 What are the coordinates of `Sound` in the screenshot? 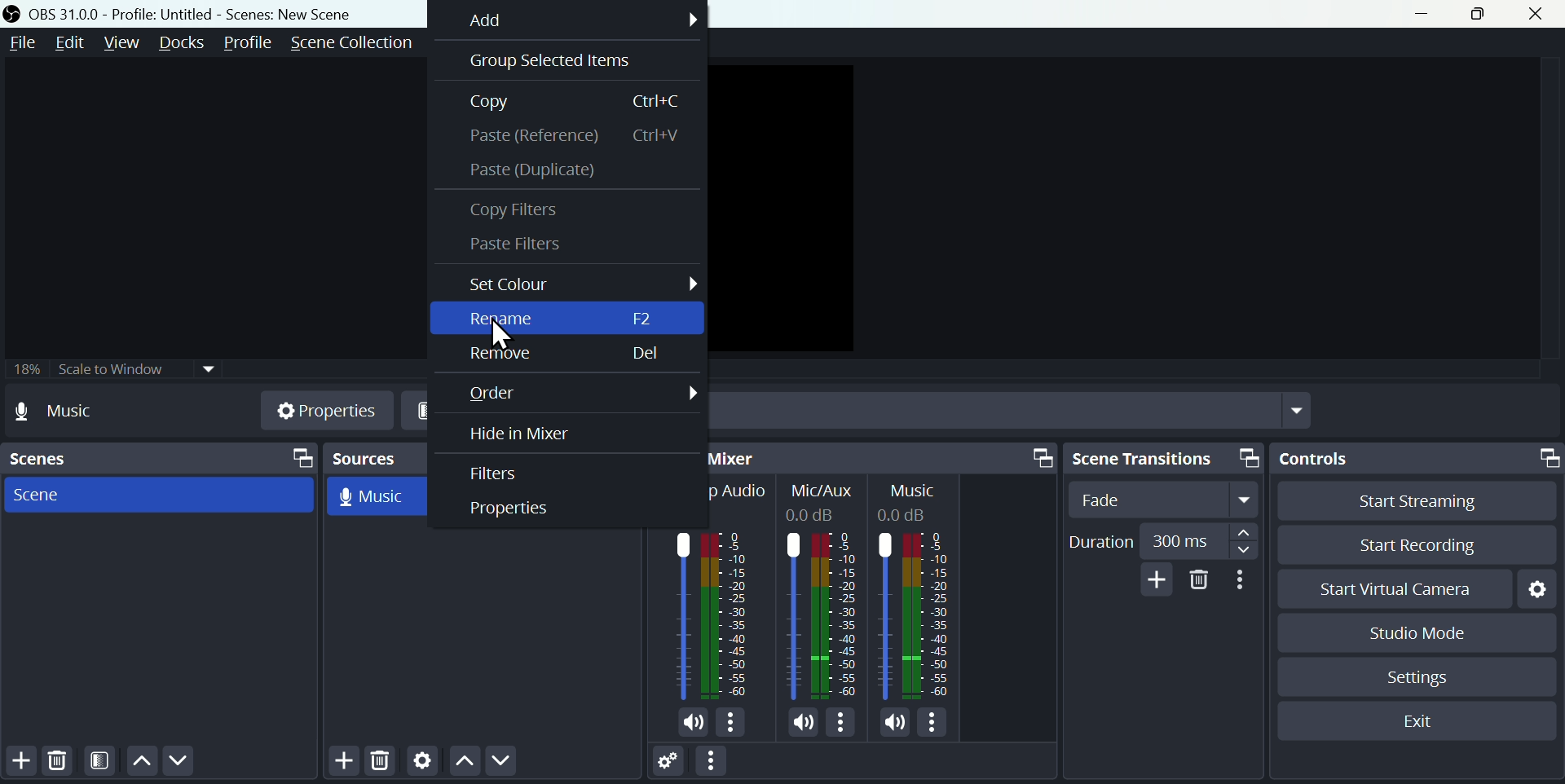 It's located at (689, 724).